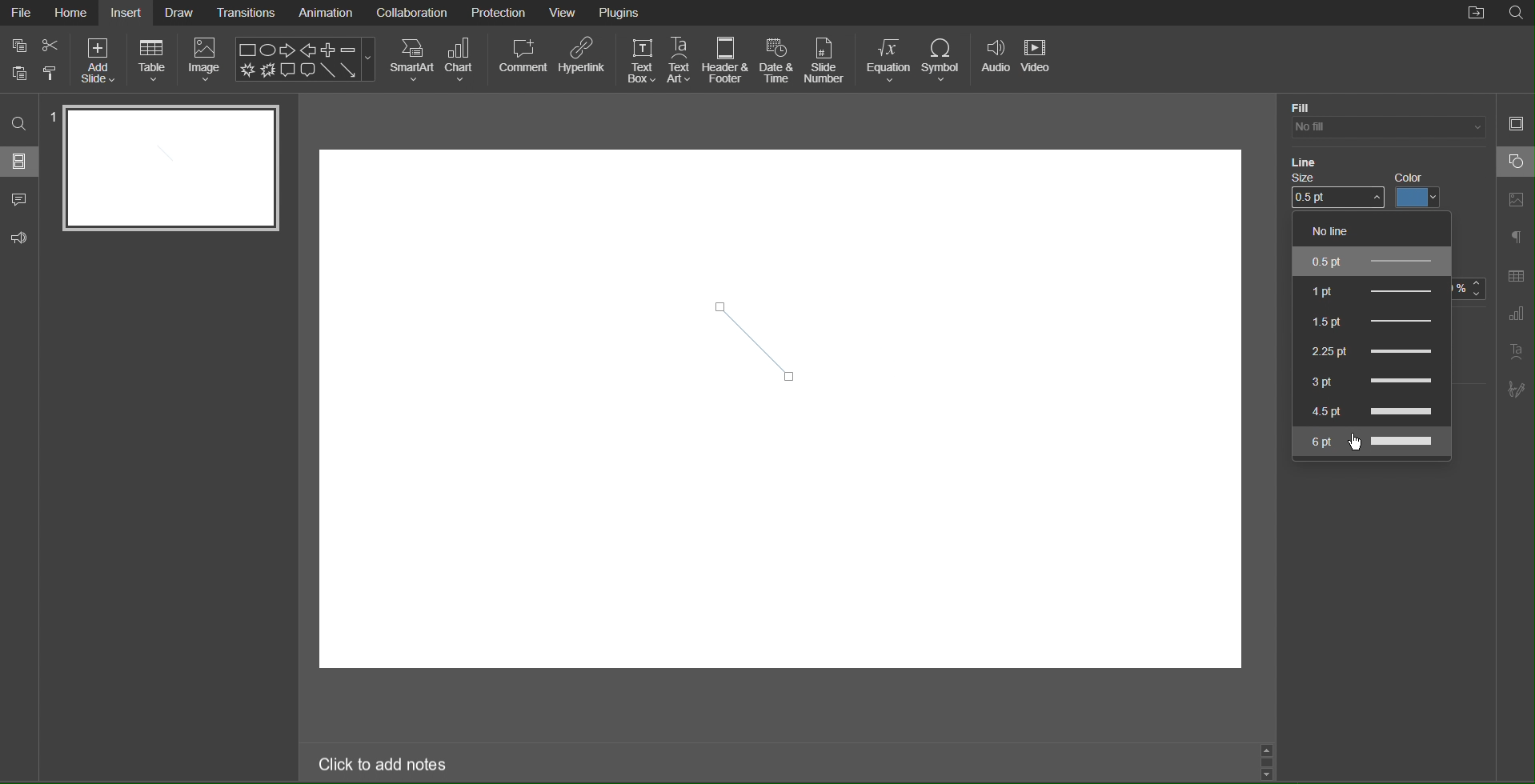 Image resolution: width=1535 pixels, height=784 pixels. What do you see at coordinates (1515, 122) in the screenshot?
I see `Slide Settings` at bounding box center [1515, 122].